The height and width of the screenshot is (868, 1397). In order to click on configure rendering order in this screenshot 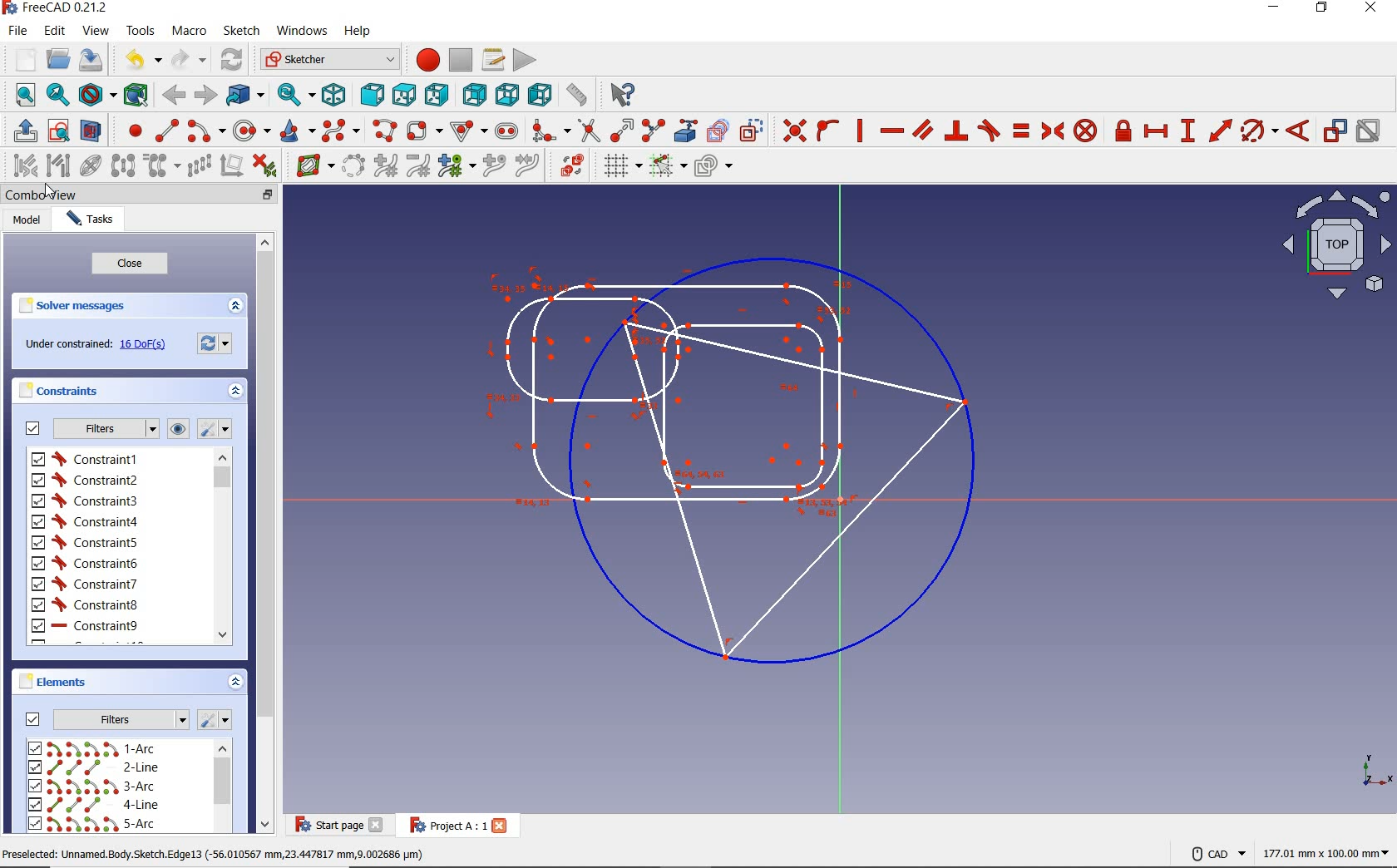, I will do `click(715, 168)`.